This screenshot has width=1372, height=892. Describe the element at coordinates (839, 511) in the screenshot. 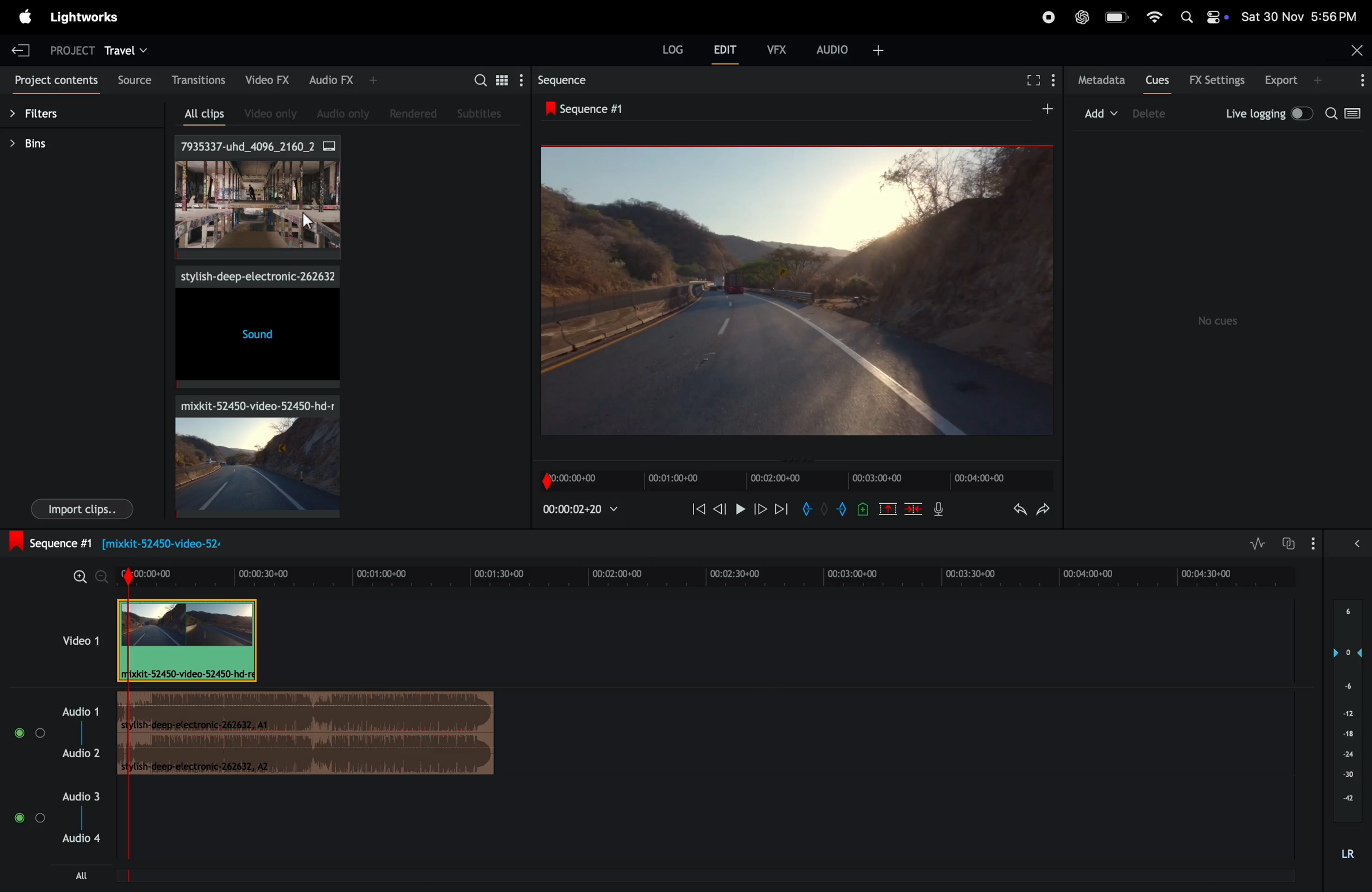

I see `add out ` at that location.